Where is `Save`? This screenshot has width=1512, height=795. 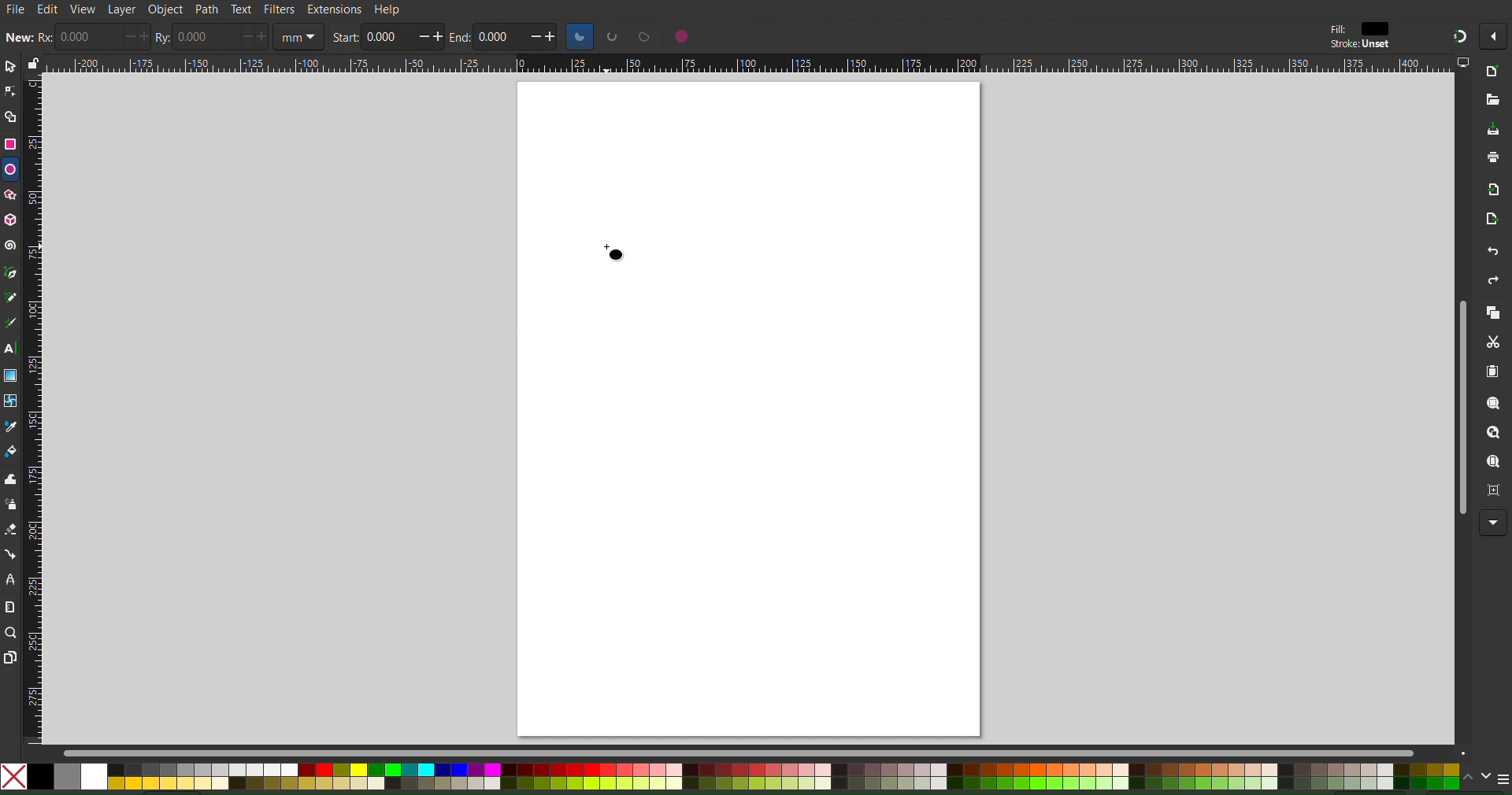 Save is located at coordinates (1492, 126).